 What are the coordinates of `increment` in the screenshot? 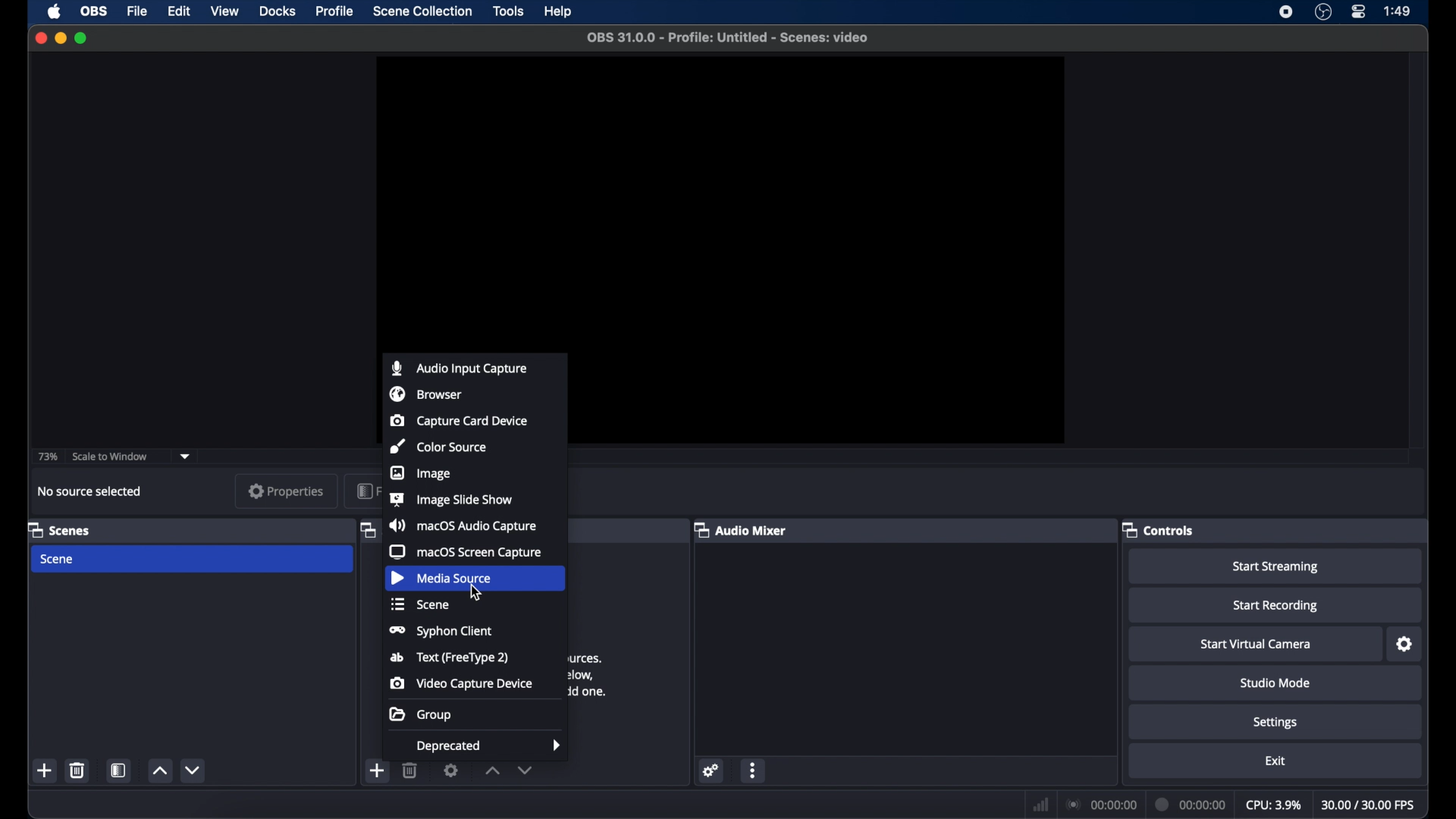 It's located at (160, 770).